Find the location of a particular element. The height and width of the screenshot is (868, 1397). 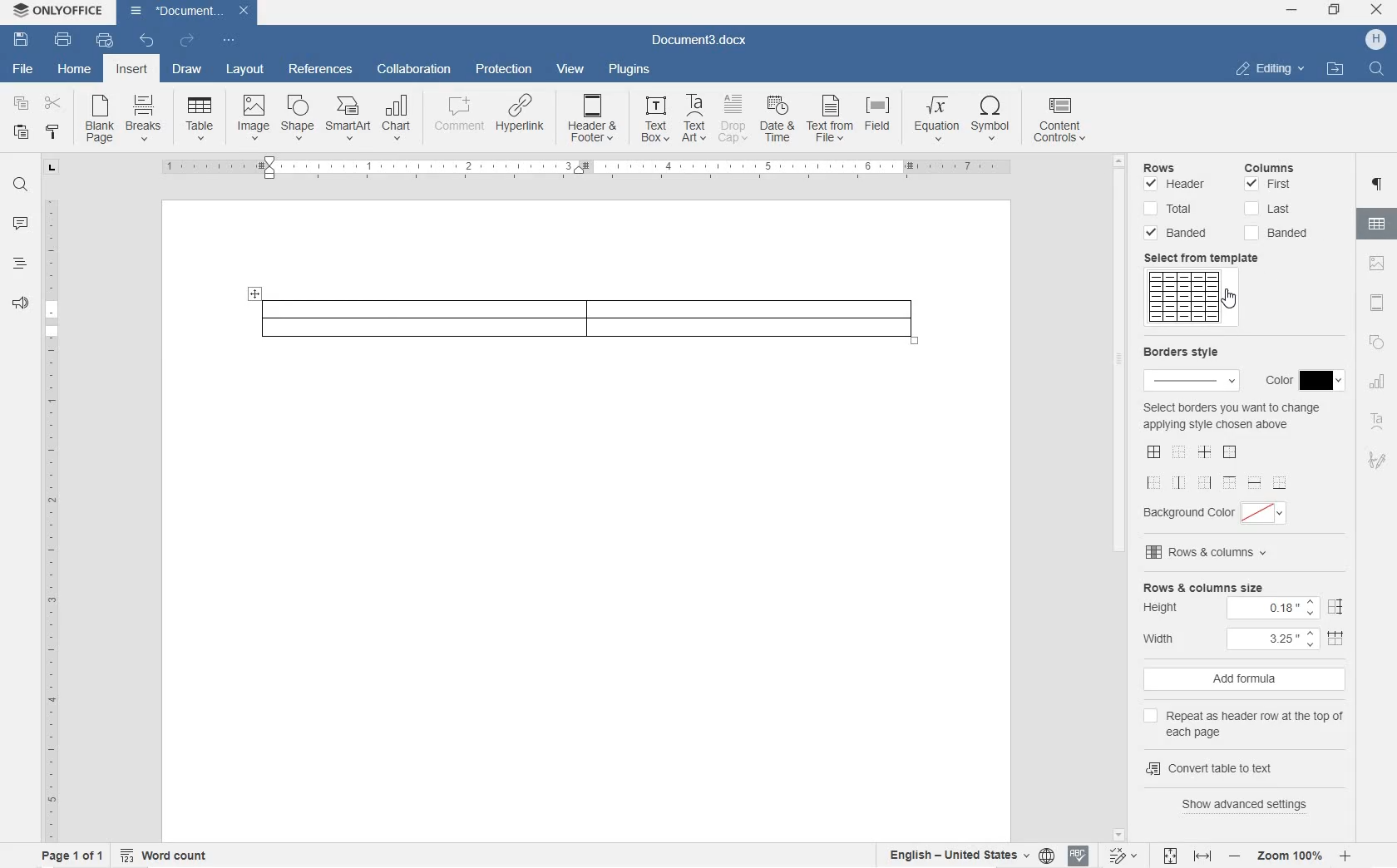

symbol is located at coordinates (992, 120).